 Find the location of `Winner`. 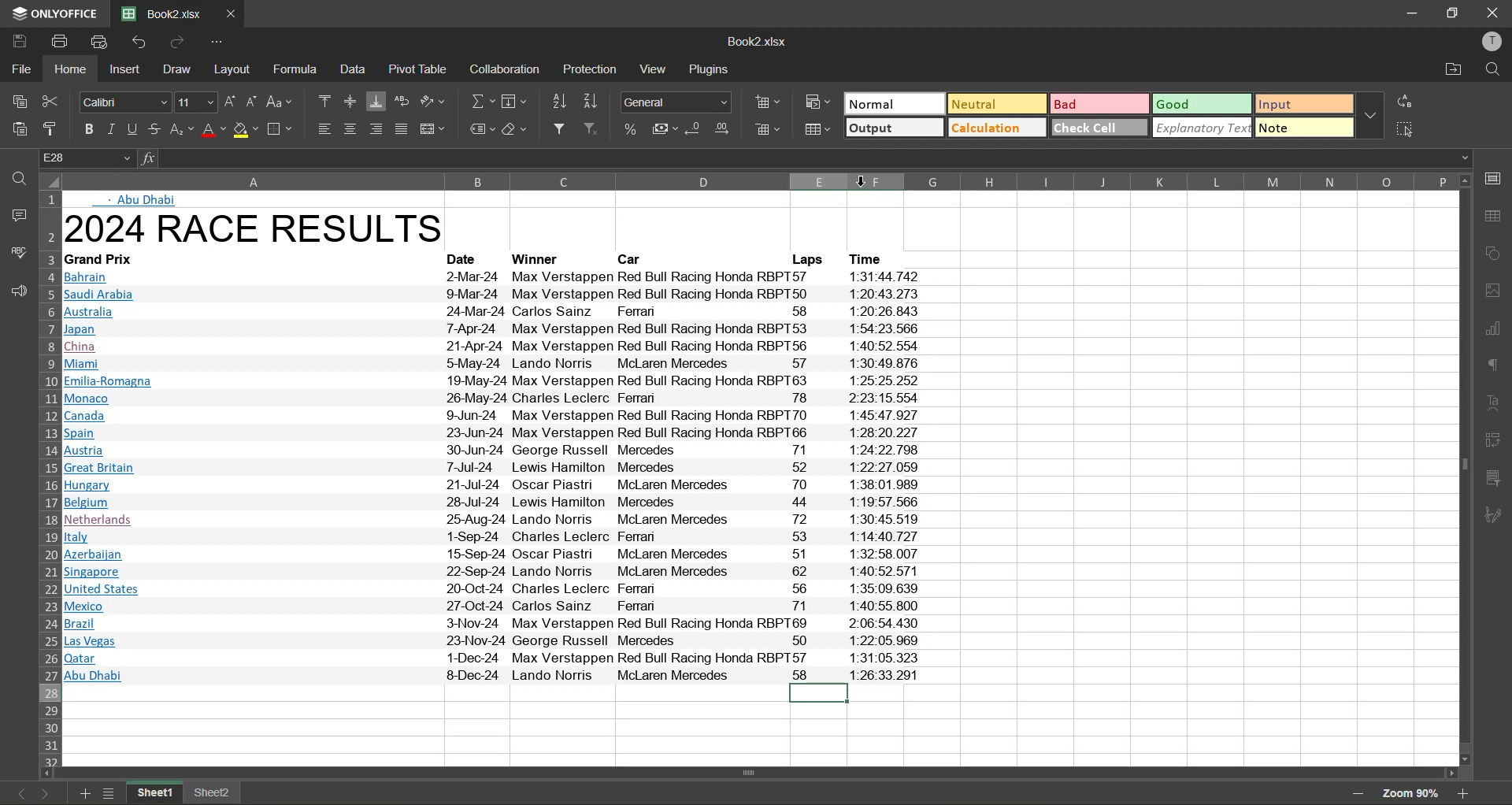

Winner is located at coordinates (540, 258).